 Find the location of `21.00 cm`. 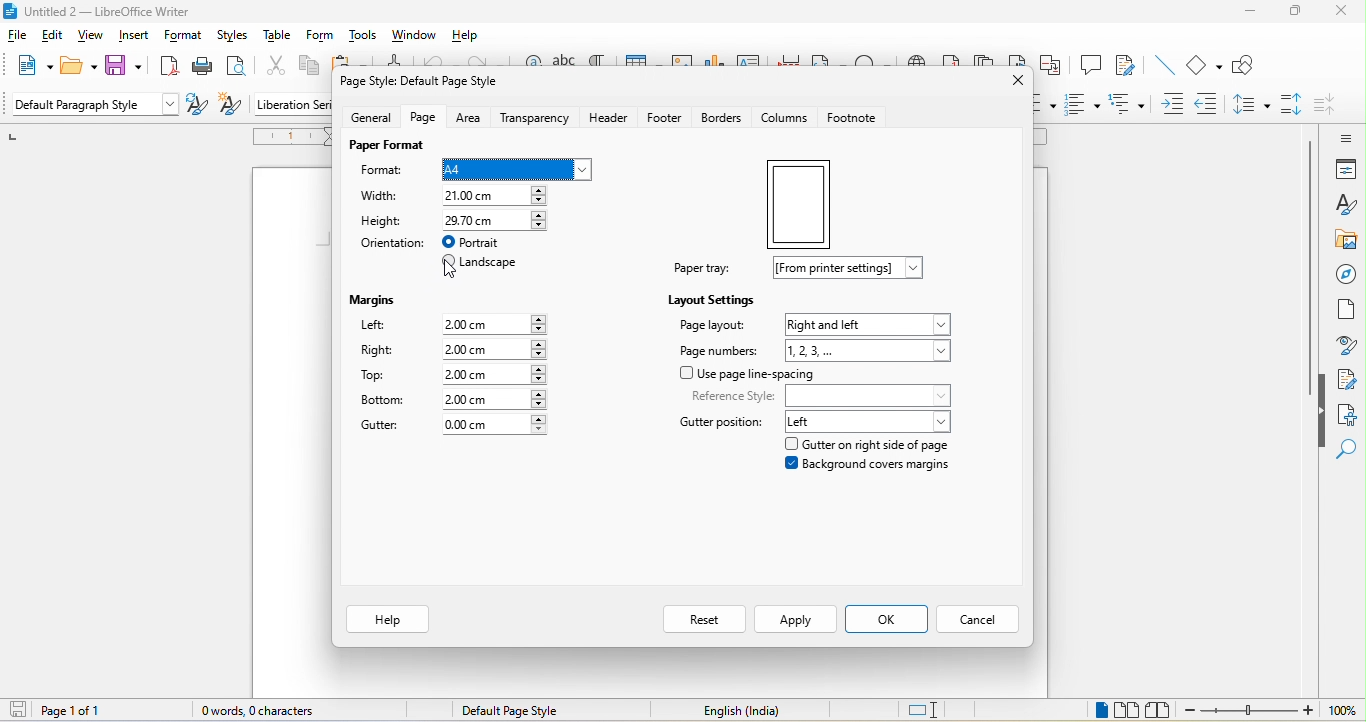

21.00 cm is located at coordinates (497, 196).